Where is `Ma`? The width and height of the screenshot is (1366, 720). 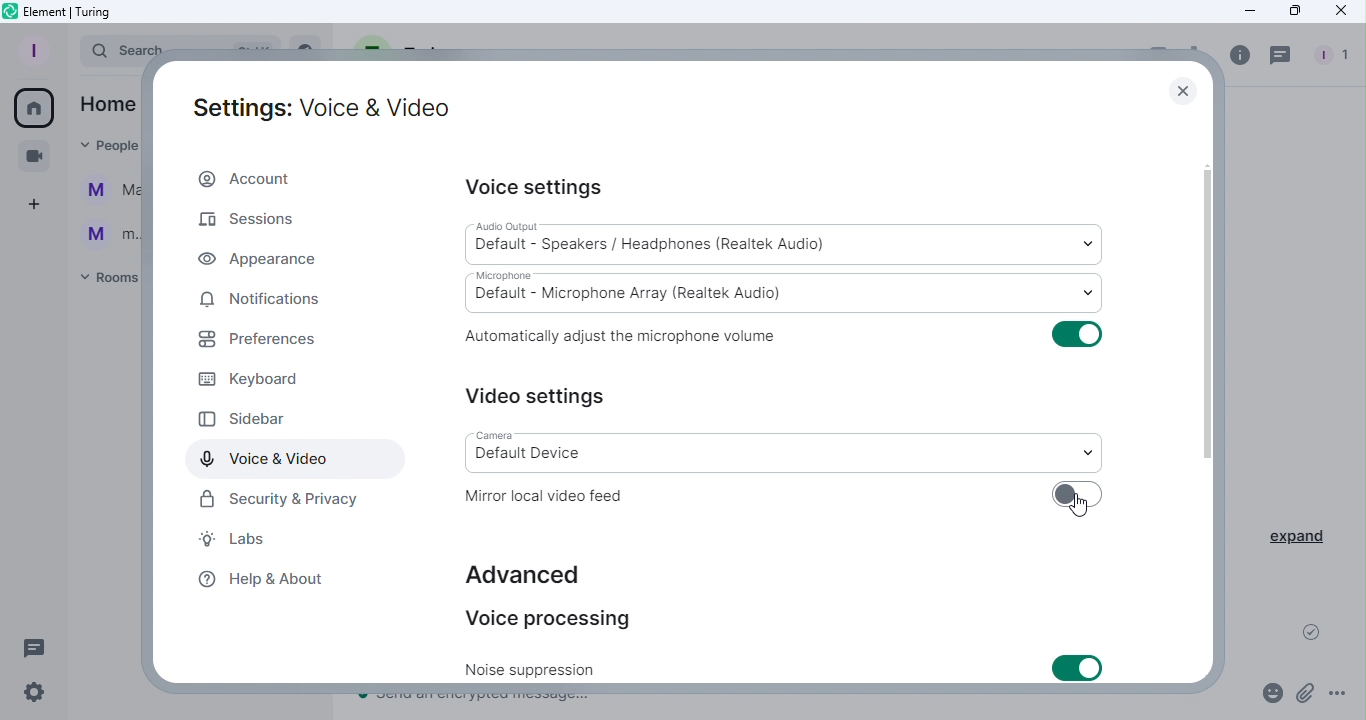
Ma is located at coordinates (110, 189).